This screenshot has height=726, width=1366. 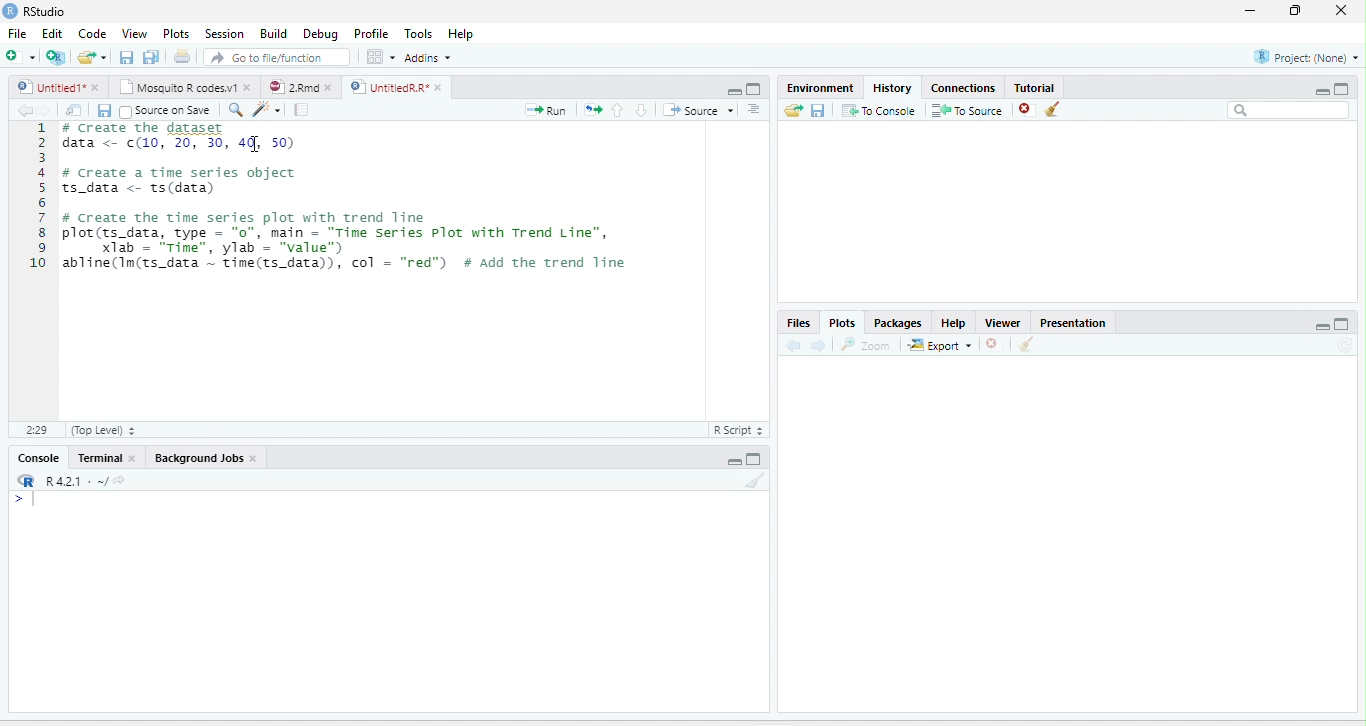 I want to click on Compile Report, so click(x=302, y=110).